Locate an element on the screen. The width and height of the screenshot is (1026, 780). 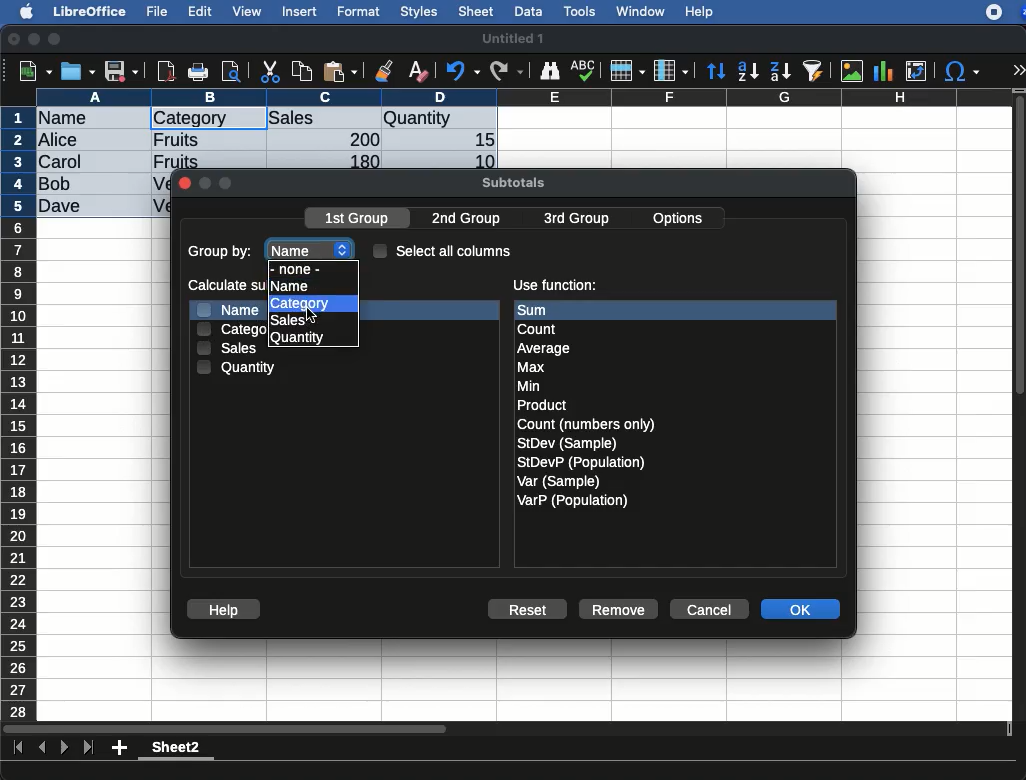
2nd group is located at coordinates (471, 219).